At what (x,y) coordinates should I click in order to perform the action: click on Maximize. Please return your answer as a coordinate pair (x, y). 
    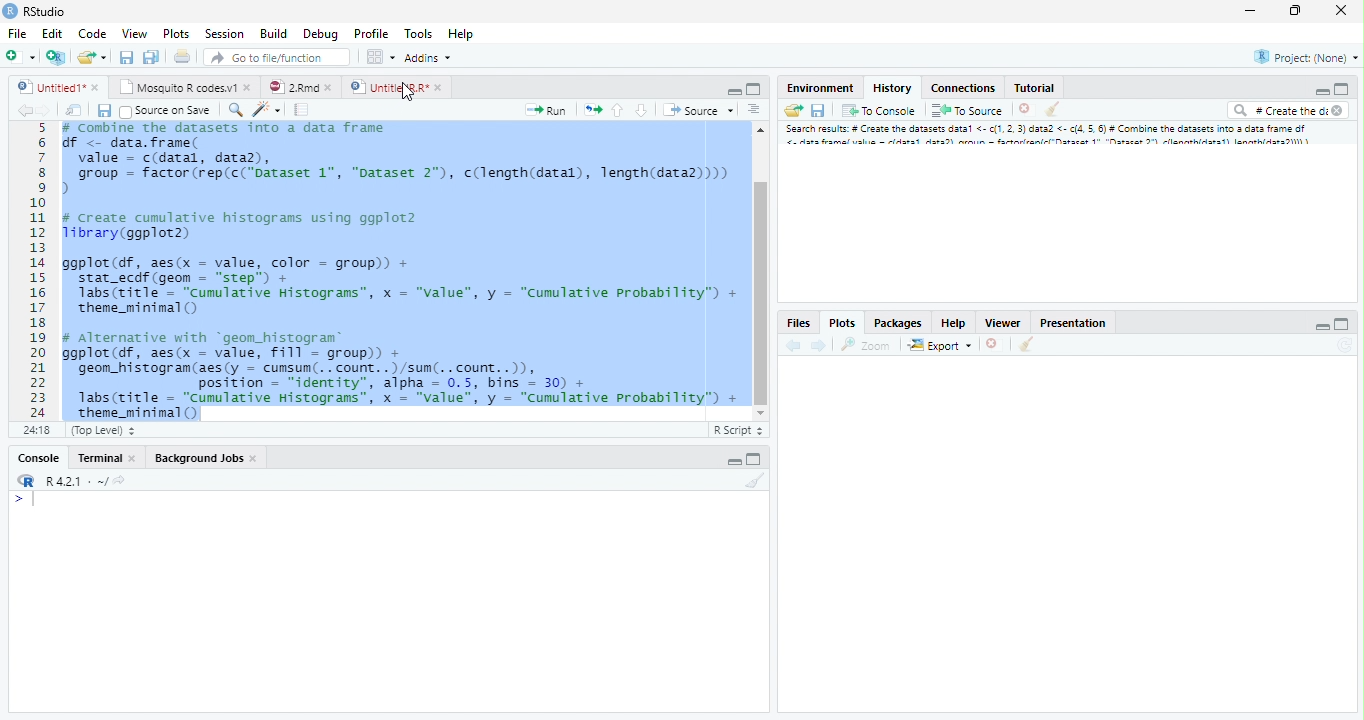
    Looking at the image, I should click on (1340, 90).